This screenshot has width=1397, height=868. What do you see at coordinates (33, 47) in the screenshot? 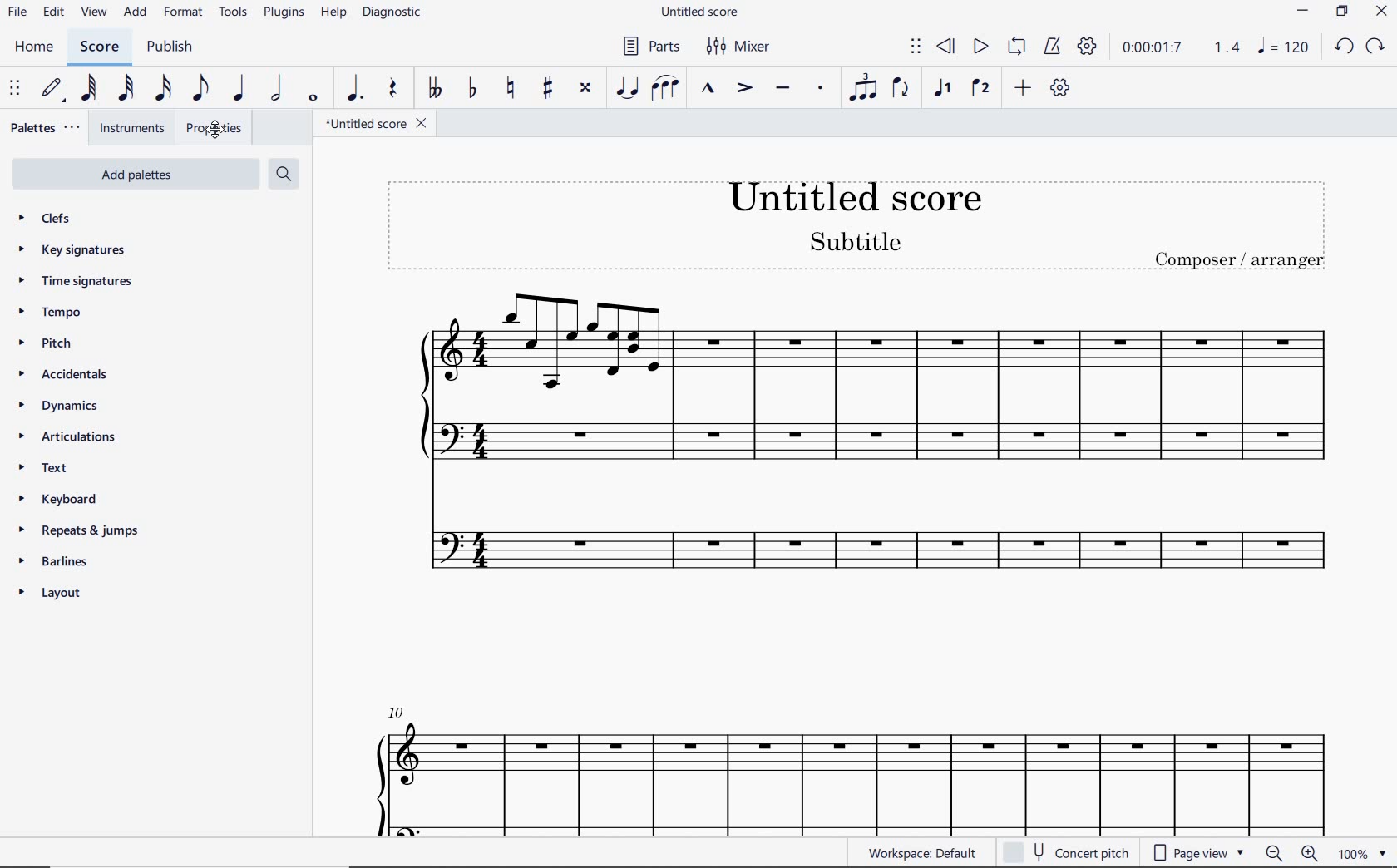
I see `HOME` at bounding box center [33, 47].